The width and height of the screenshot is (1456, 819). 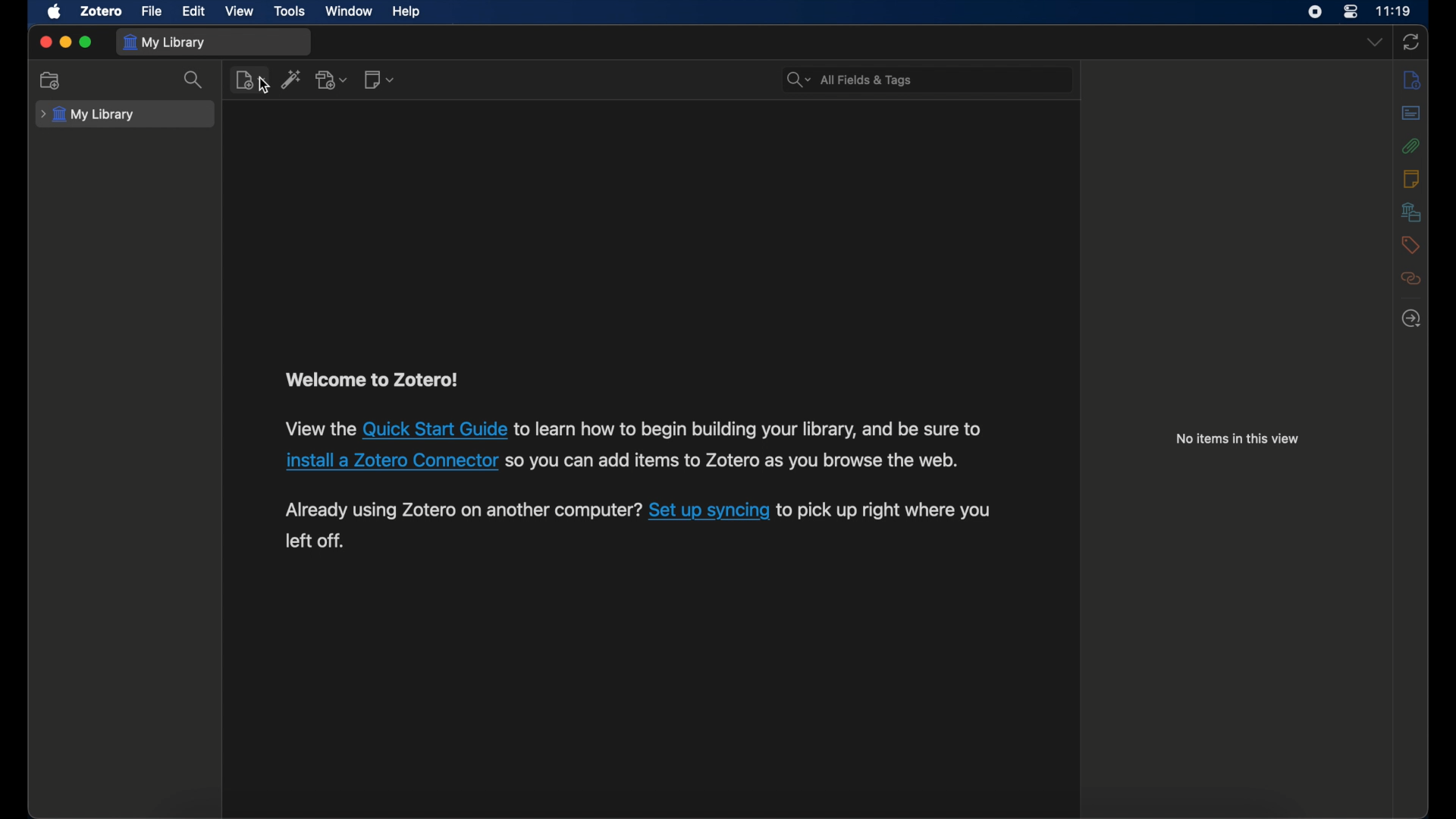 I want to click on time, so click(x=1392, y=11).